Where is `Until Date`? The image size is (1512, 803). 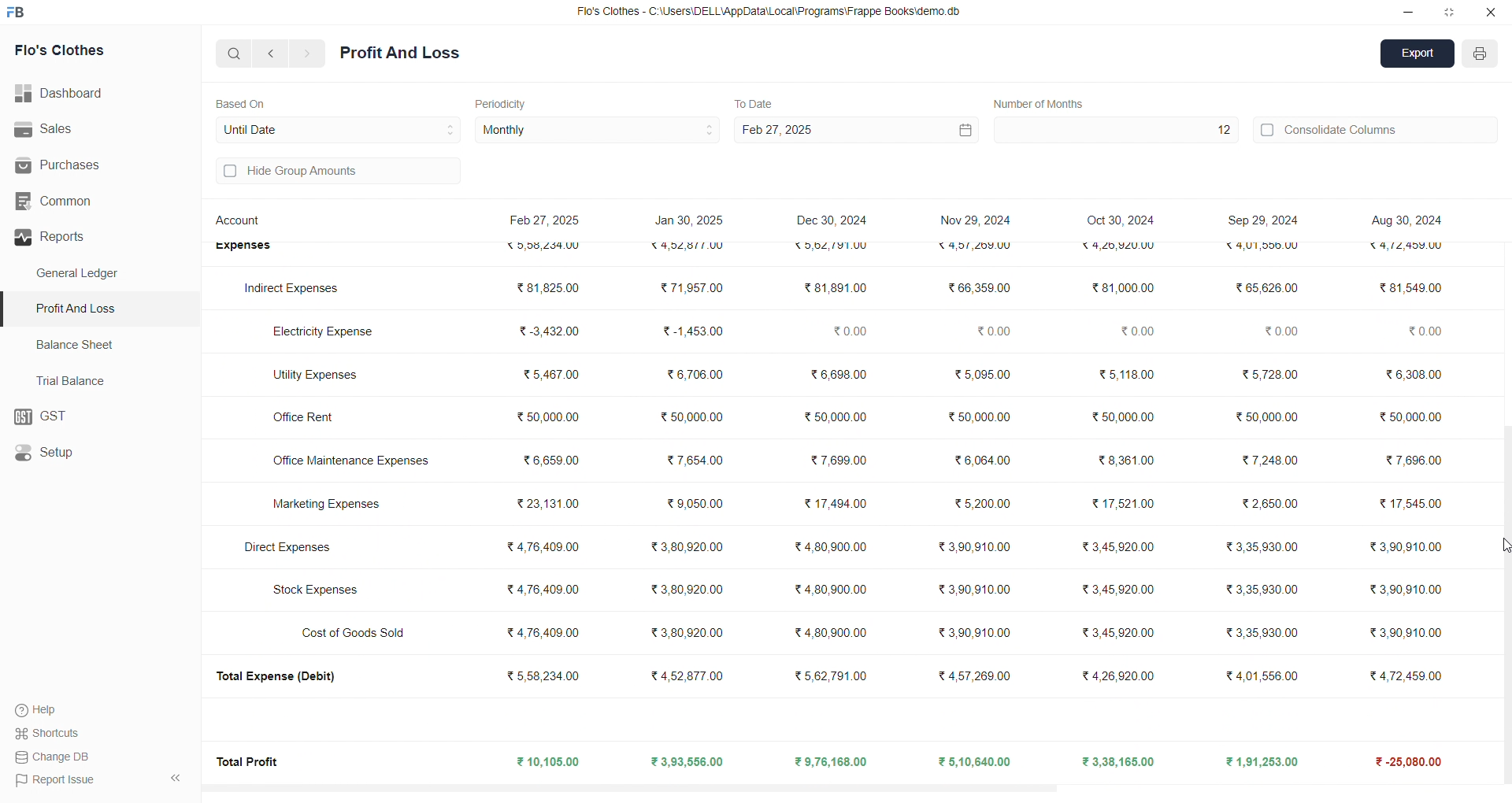 Until Date is located at coordinates (339, 128).